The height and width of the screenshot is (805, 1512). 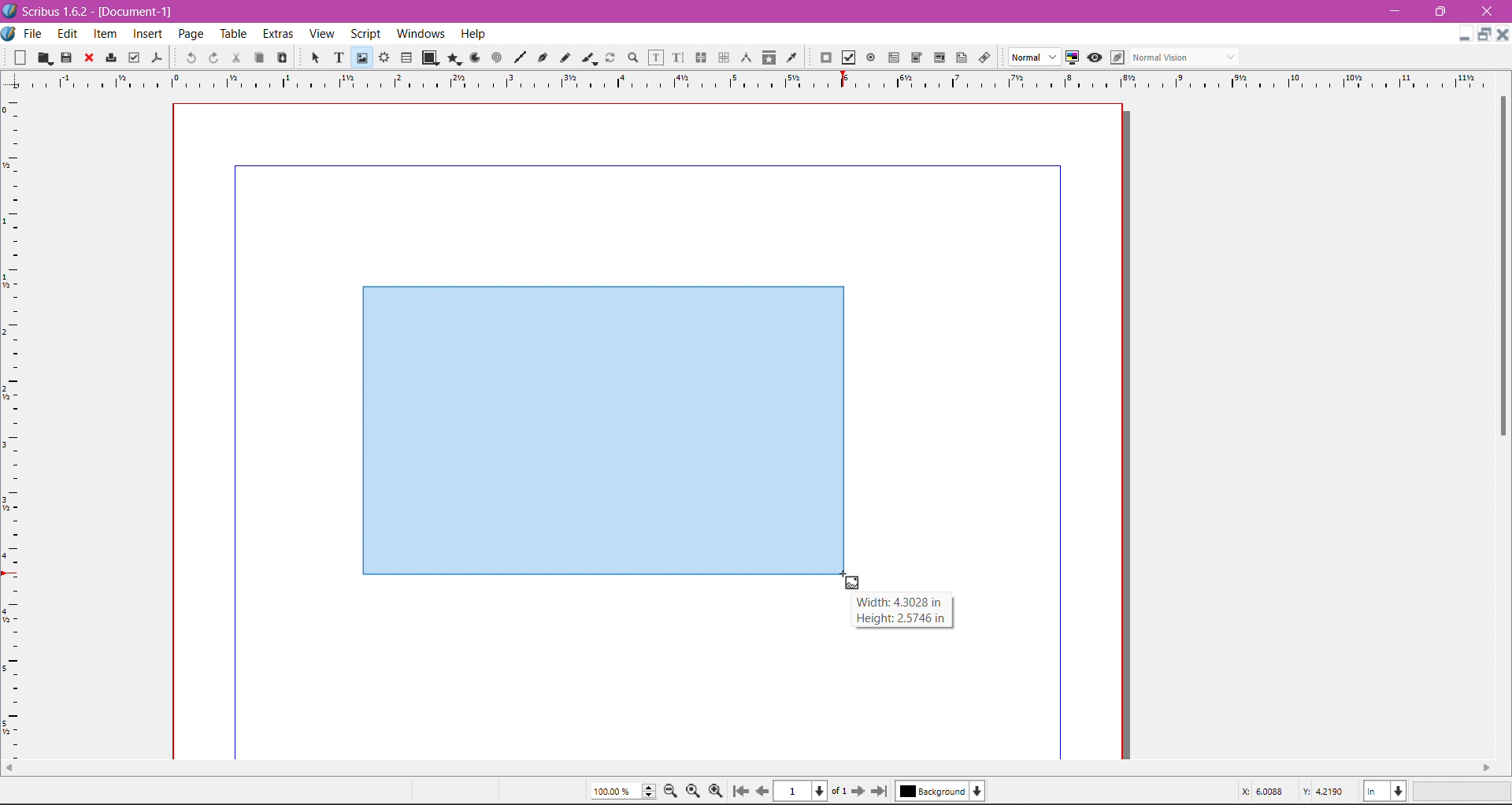 I want to click on PDF List Box, so click(x=939, y=57).